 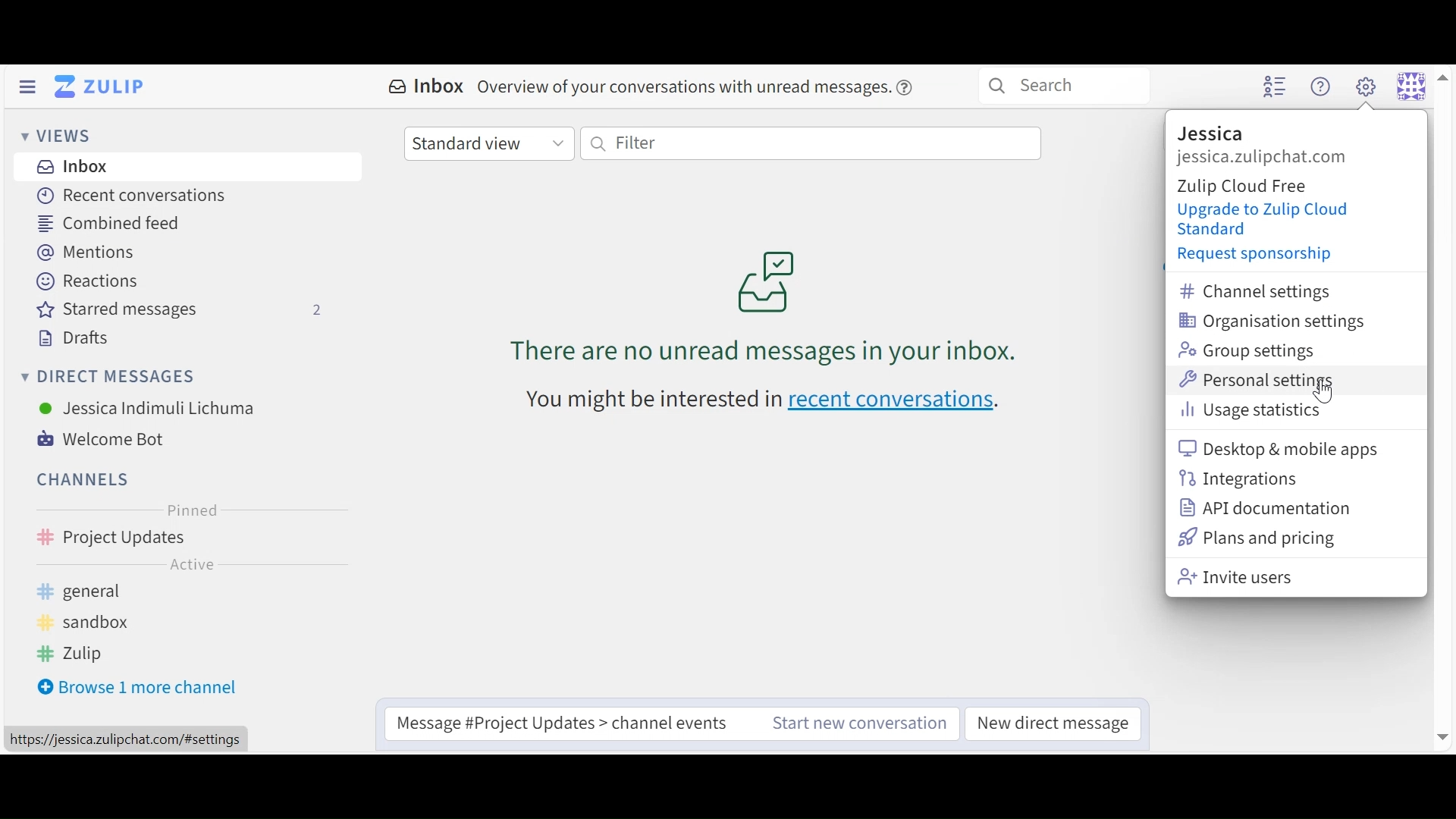 What do you see at coordinates (1067, 86) in the screenshot?
I see `Search` at bounding box center [1067, 86].